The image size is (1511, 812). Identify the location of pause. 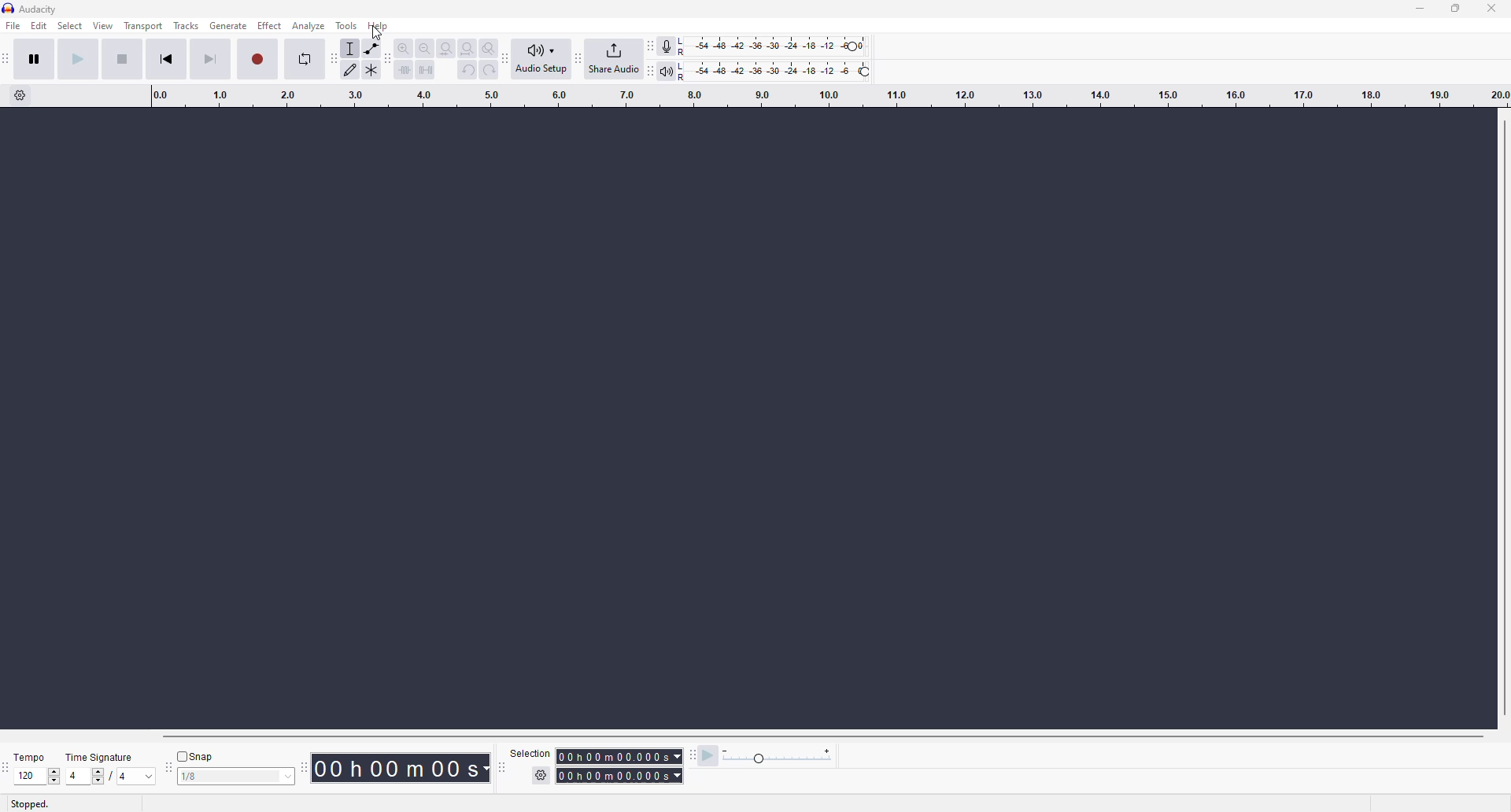
(36, 61).